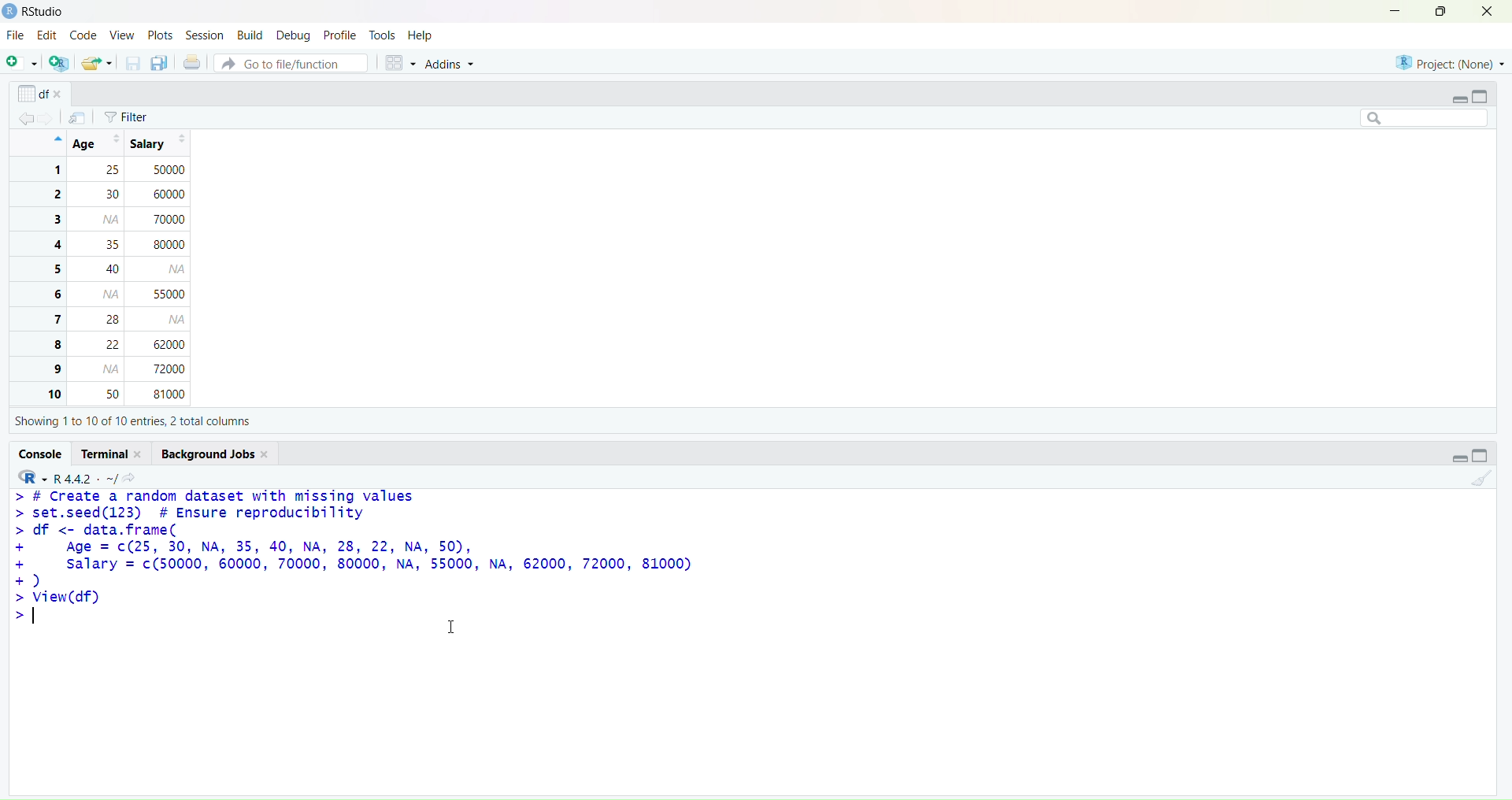 The image size is (1512, 800). What do you see at coordinates (392, 557) in the screenshot?
I see `> # Create a random dataset with missing values> set.seed(123) # Ensure reproducibility> df <- data.frame(+ Age = c(25, 30, NA, 35, 40, NA, 28, 22, NA, 50),+ salary = c(50000, 60000, 70000, 80000, NA, 55000, NA, 62000, 72000, 81000)+)> view(df)` at bounding box center [392, 557].